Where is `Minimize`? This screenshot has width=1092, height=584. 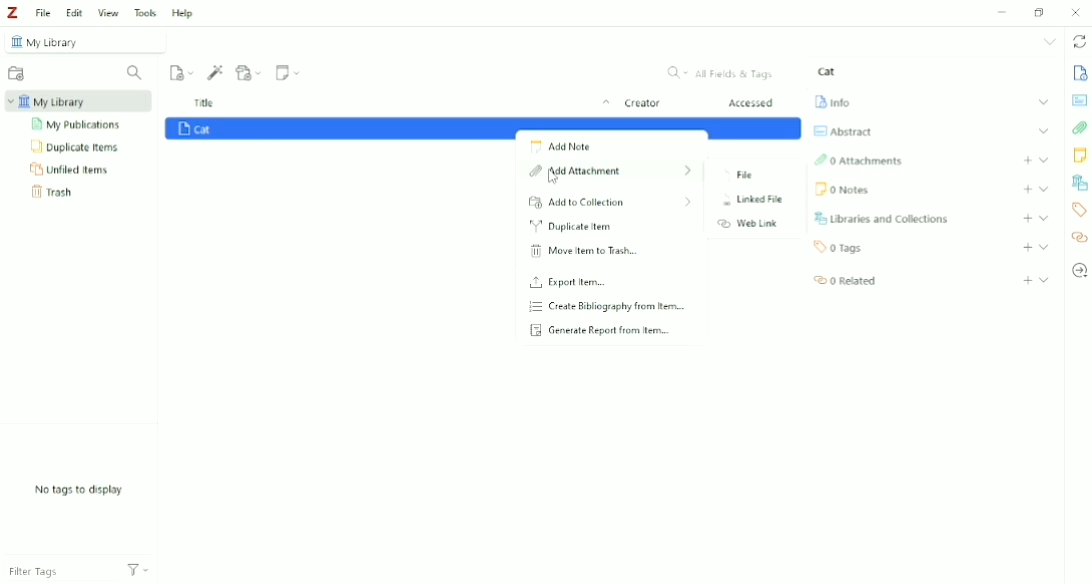 Minimize is located at coordinates (999, 13).